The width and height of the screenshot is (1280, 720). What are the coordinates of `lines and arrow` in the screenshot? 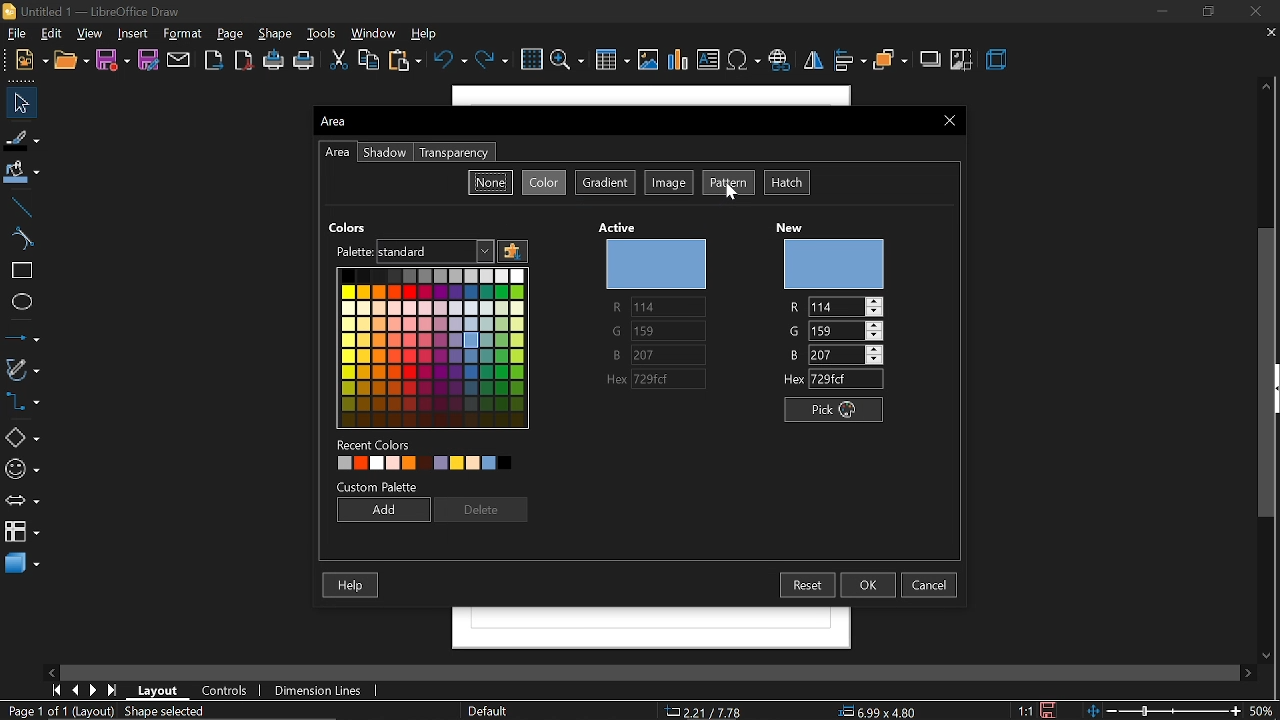 It's located at (21, 335).